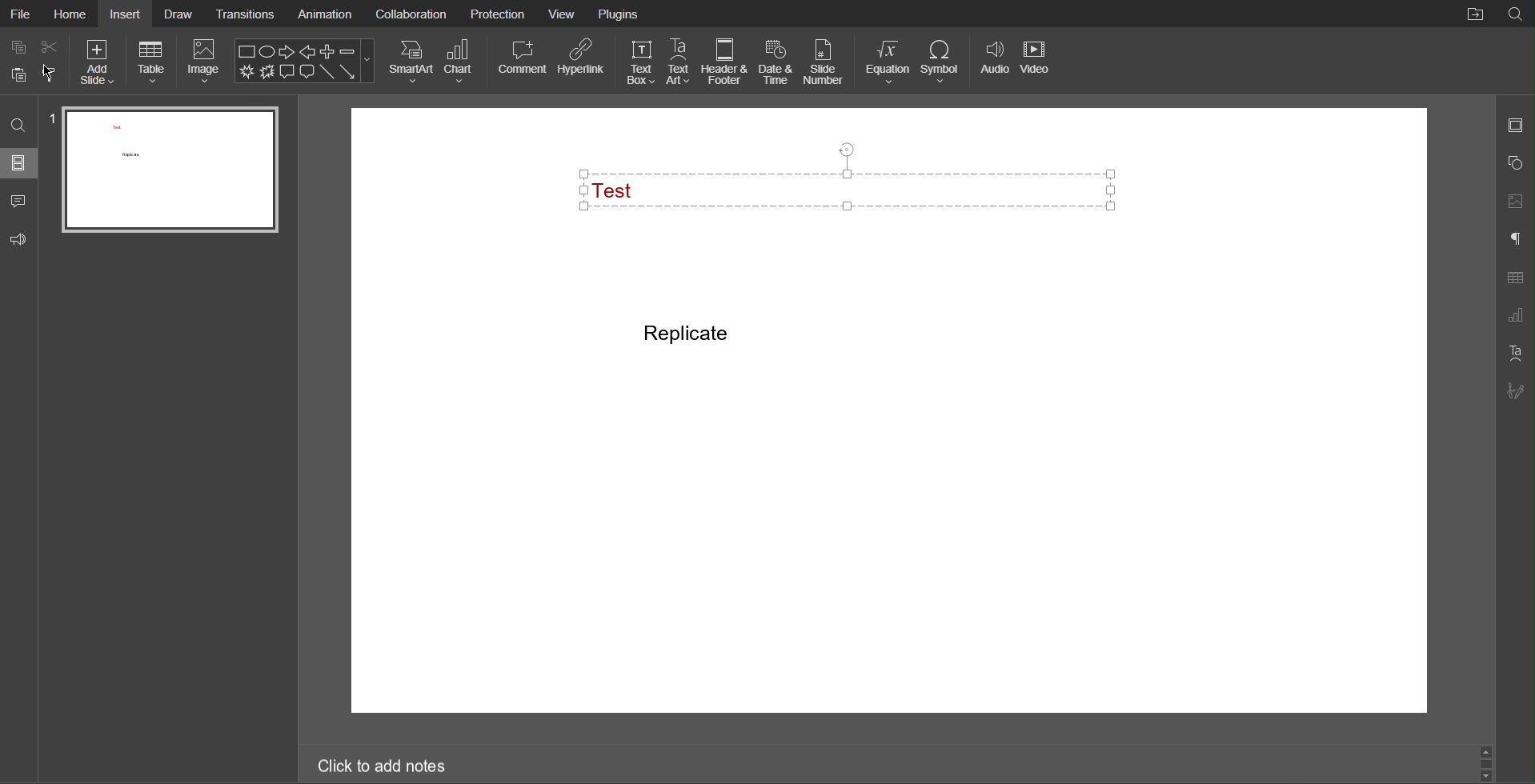  What do you see at coordinates (1517, 13) in the screenshot?
I see `Search` at bounding box center [1517, 13].